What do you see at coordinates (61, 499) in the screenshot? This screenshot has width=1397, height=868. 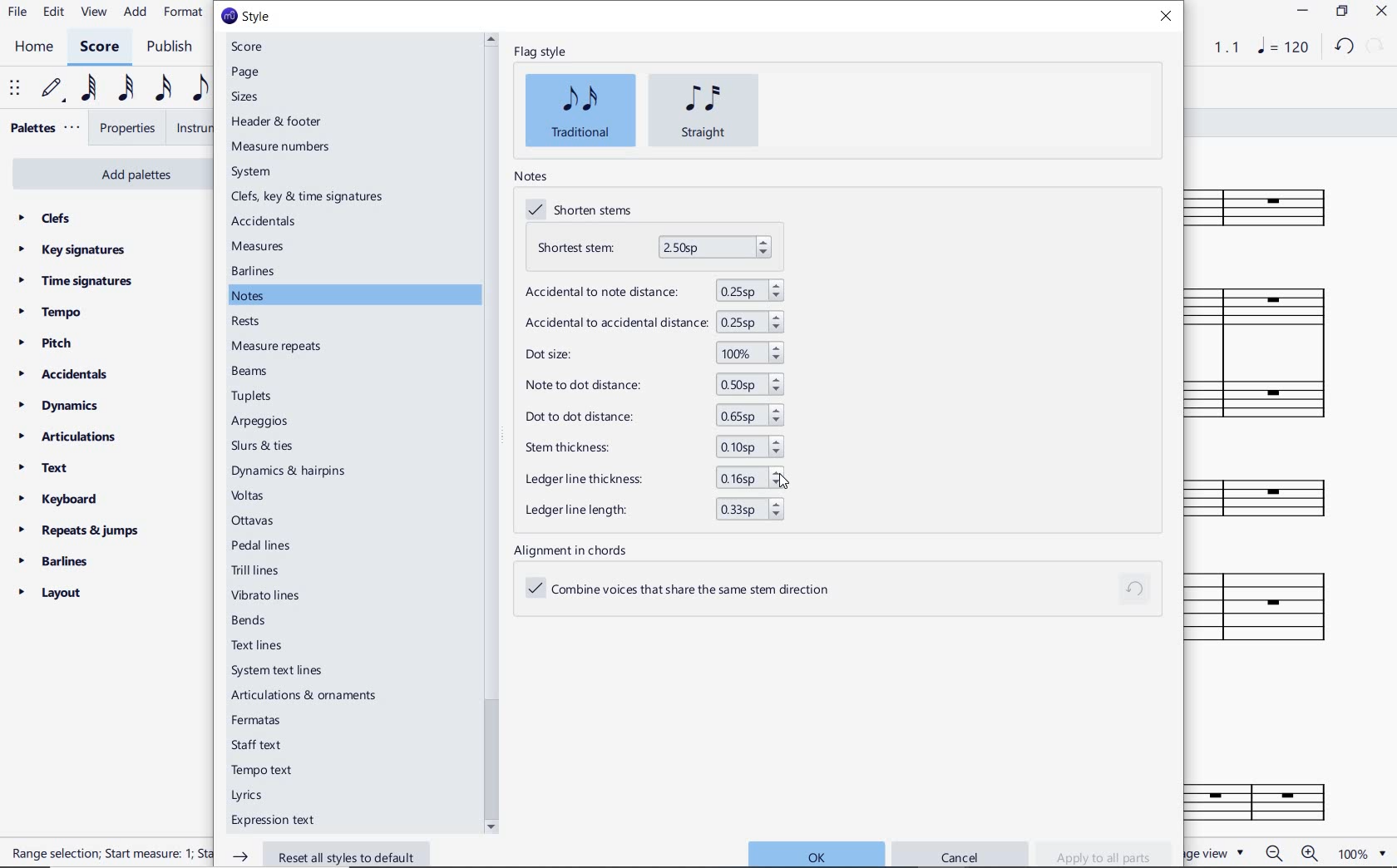 I see `keyboard` at bounding box center [61, 499].